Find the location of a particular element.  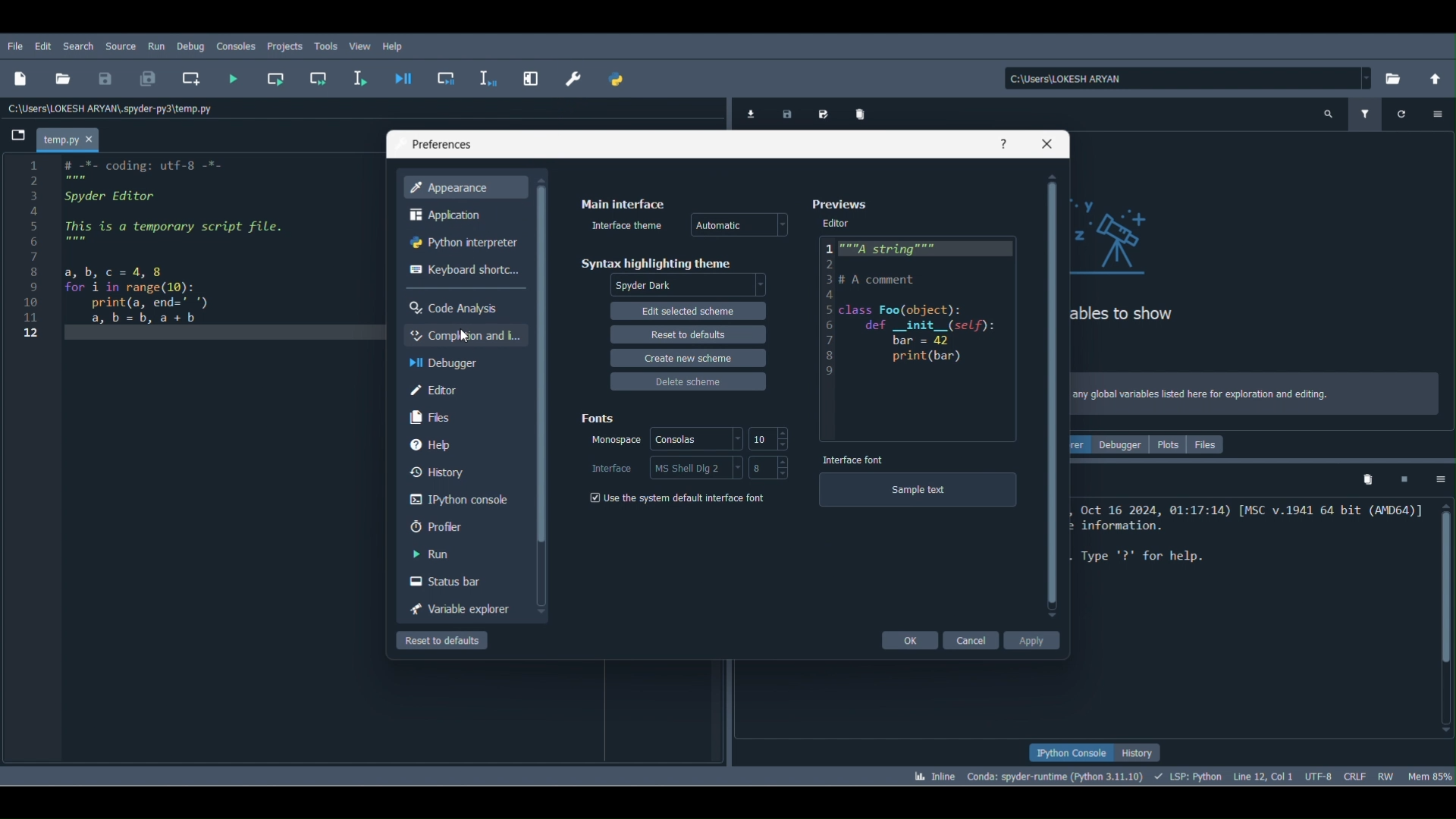

Search is located at coordinates (81, 45).